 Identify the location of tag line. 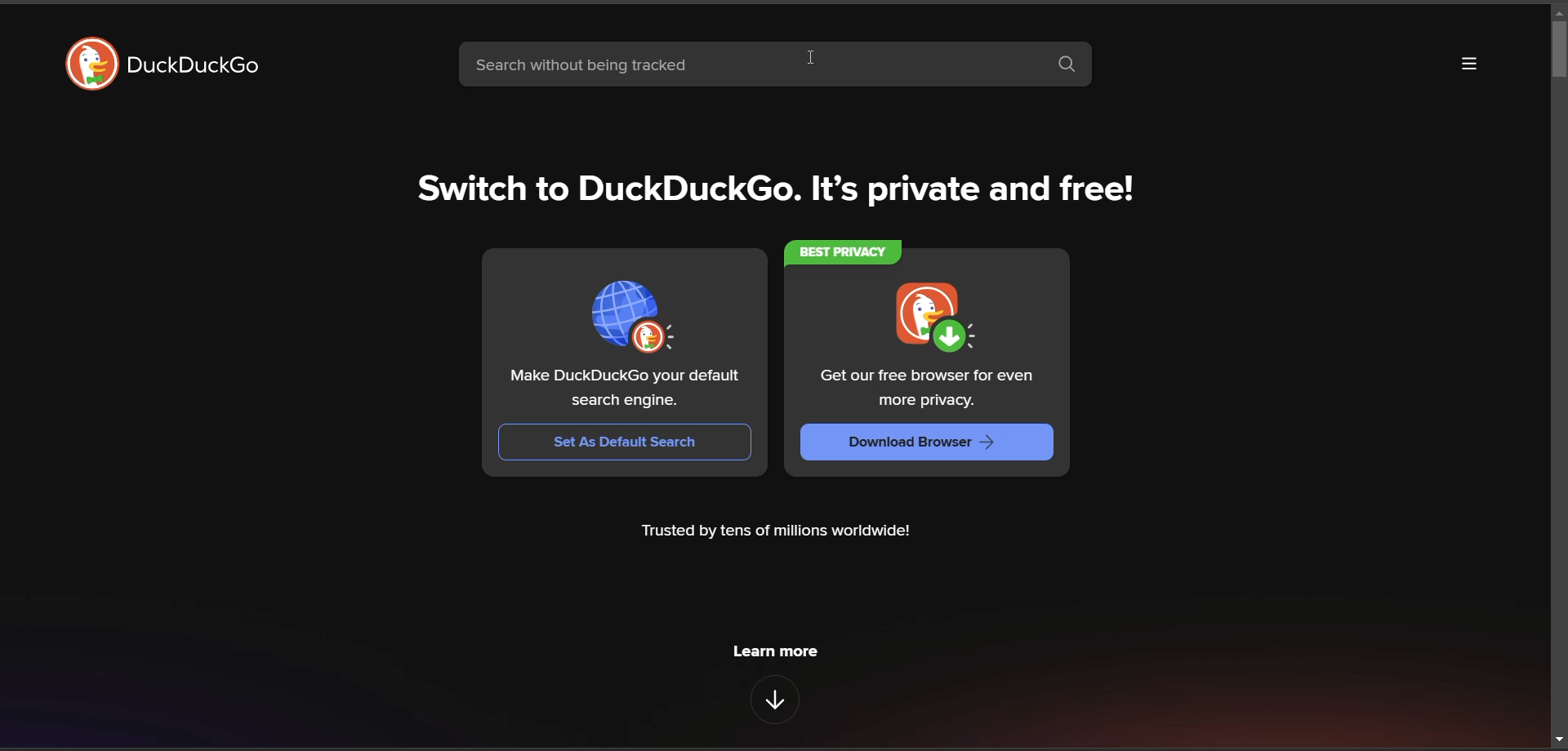
(779, 191).